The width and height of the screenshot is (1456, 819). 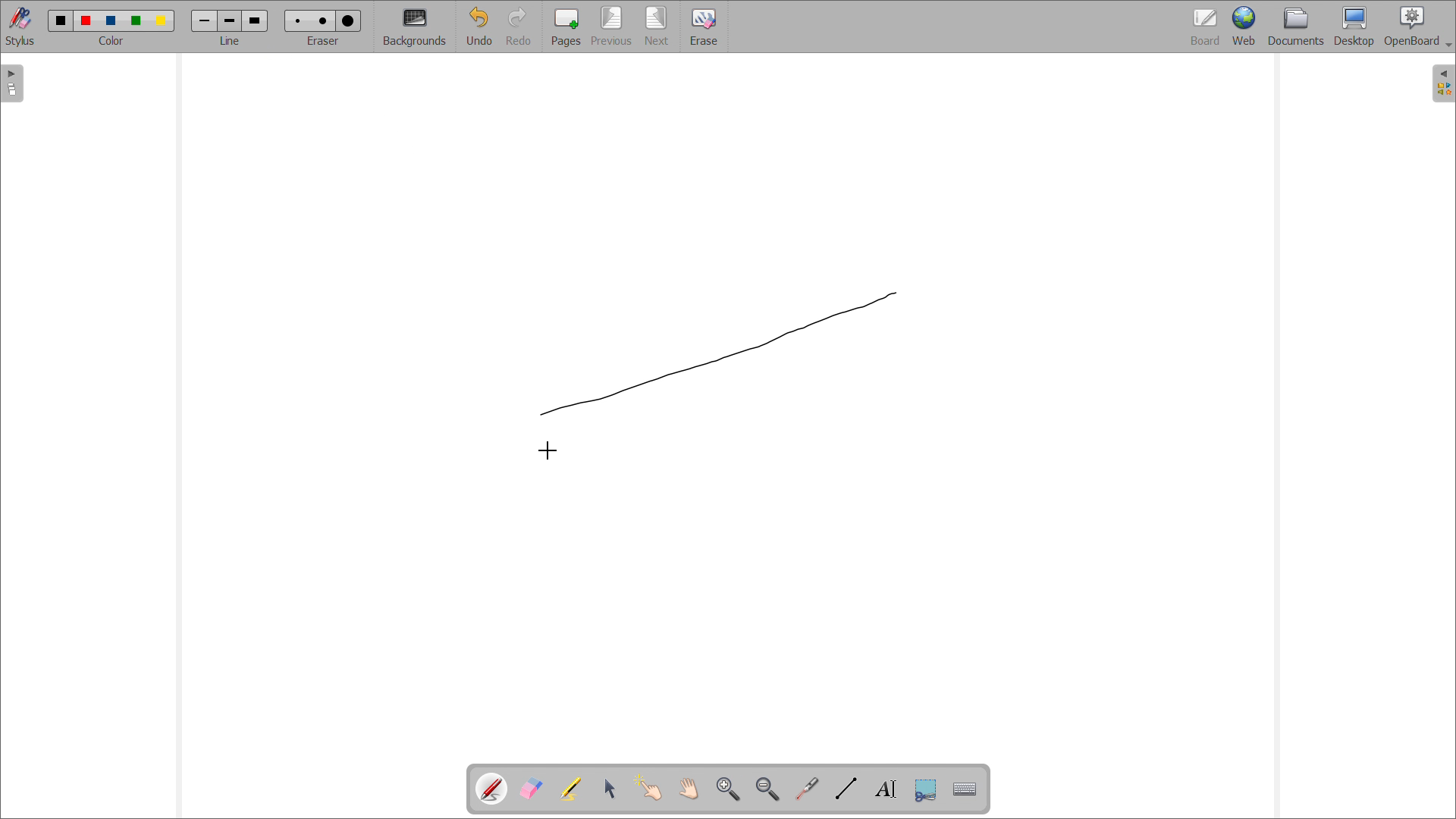 I want to click on select eraser size, so click(x=324, y=41).